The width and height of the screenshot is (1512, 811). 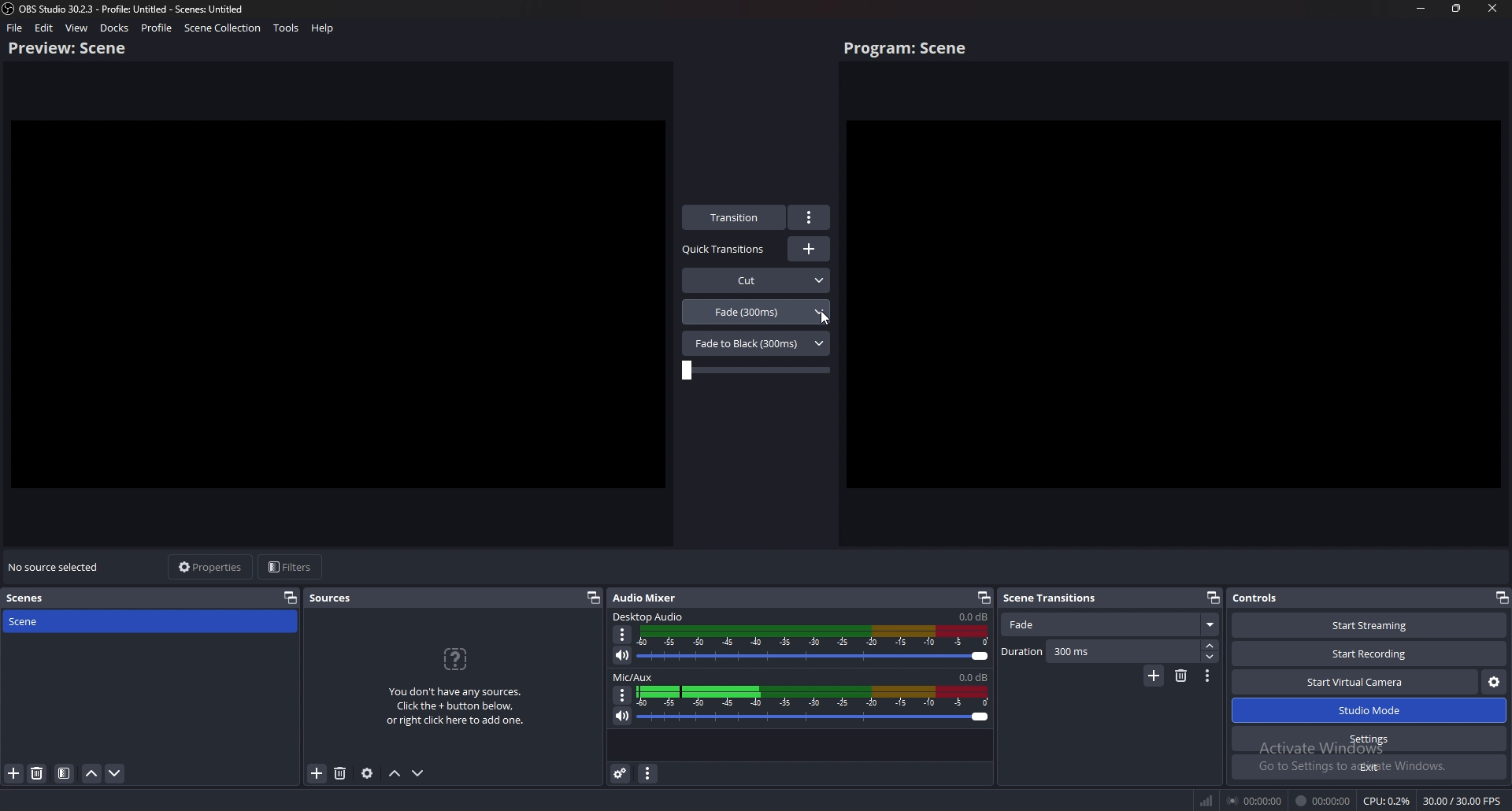 What do you see at coordinates (421, 772) in the screenshot?
I see `Move sources down` at bounding box center [421, 772].